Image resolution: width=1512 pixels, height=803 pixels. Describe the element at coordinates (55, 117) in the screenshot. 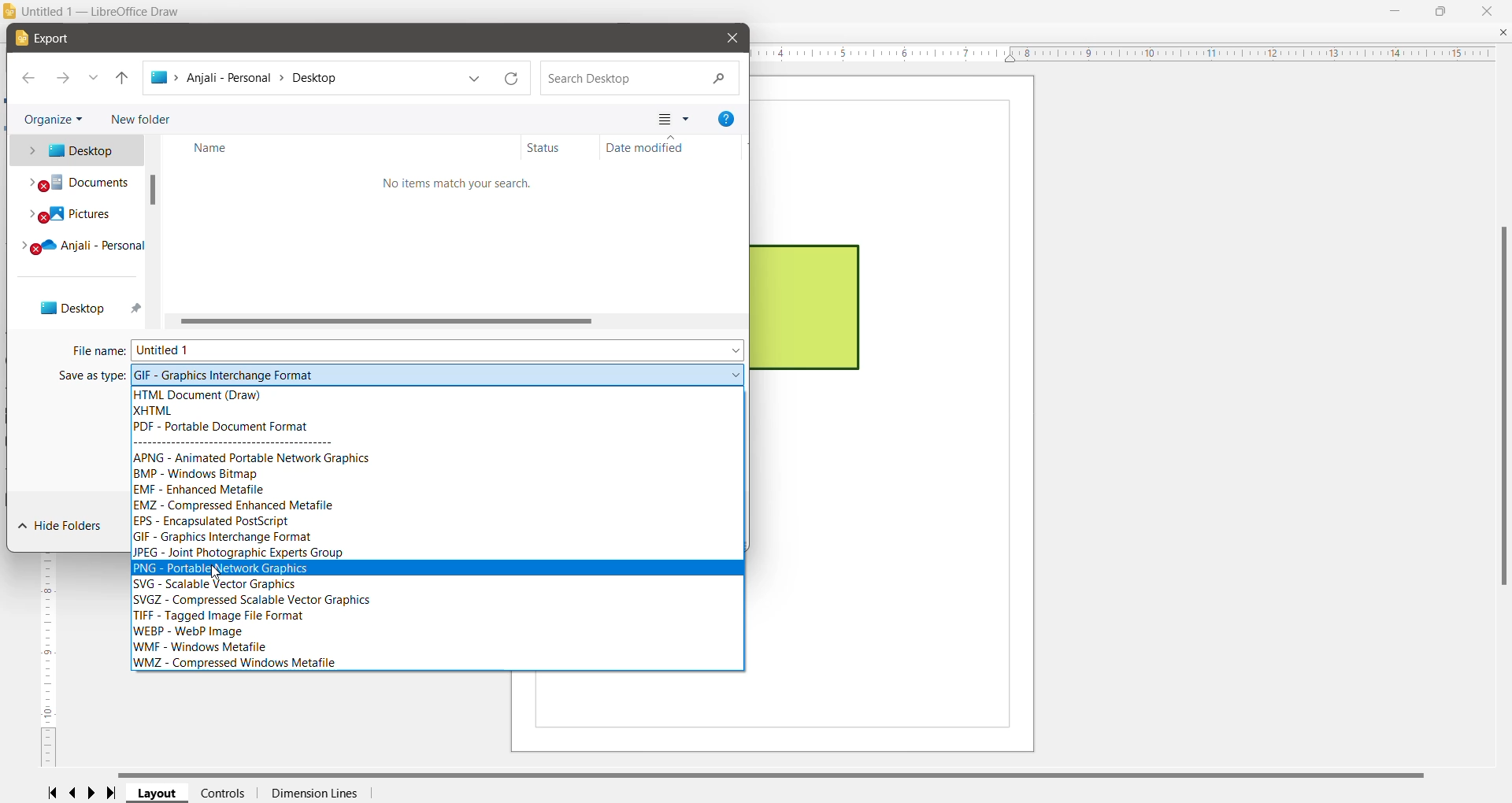

I see `Organize` at that location.